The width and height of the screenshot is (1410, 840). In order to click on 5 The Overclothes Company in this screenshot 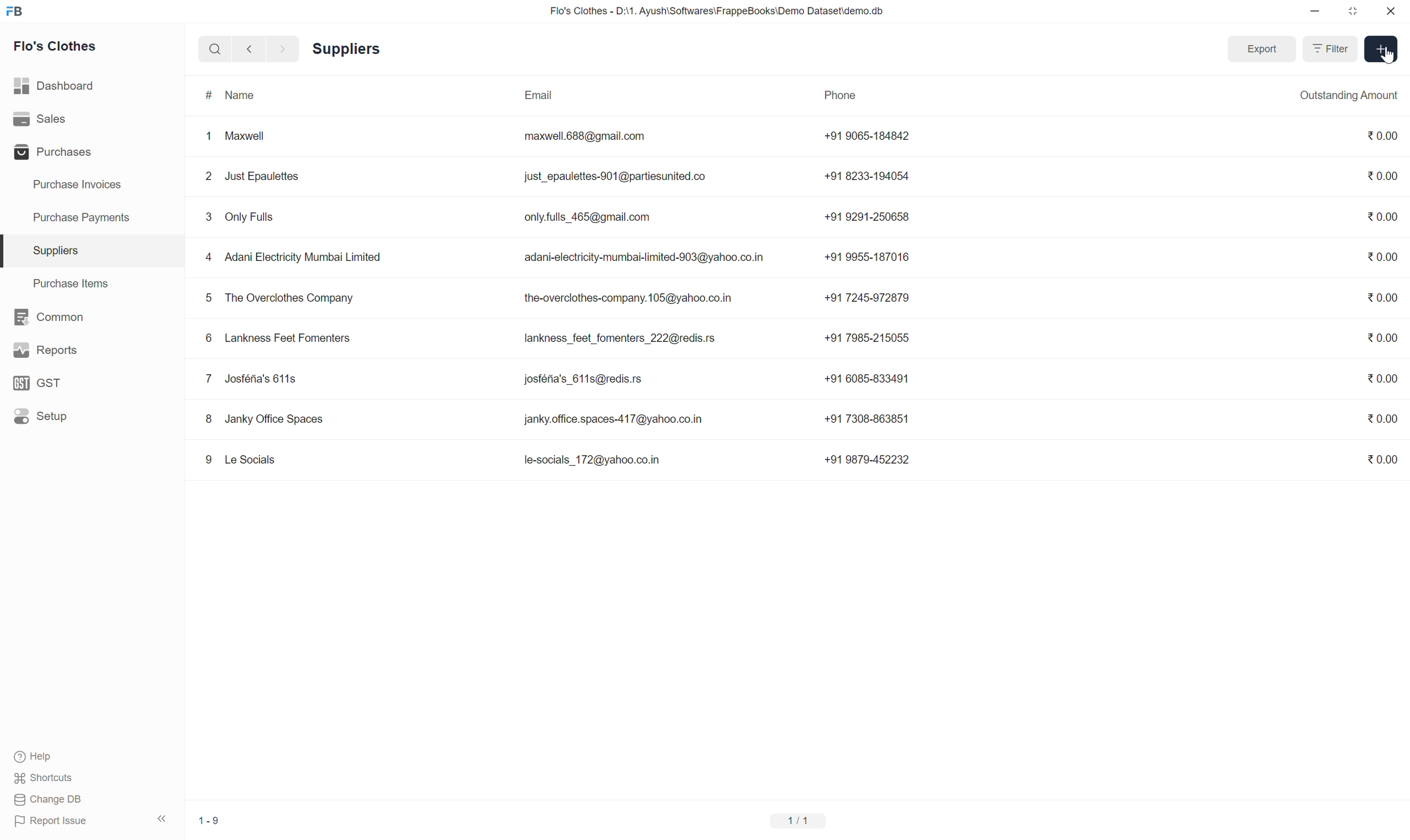, I will do `click(279, 298)`.